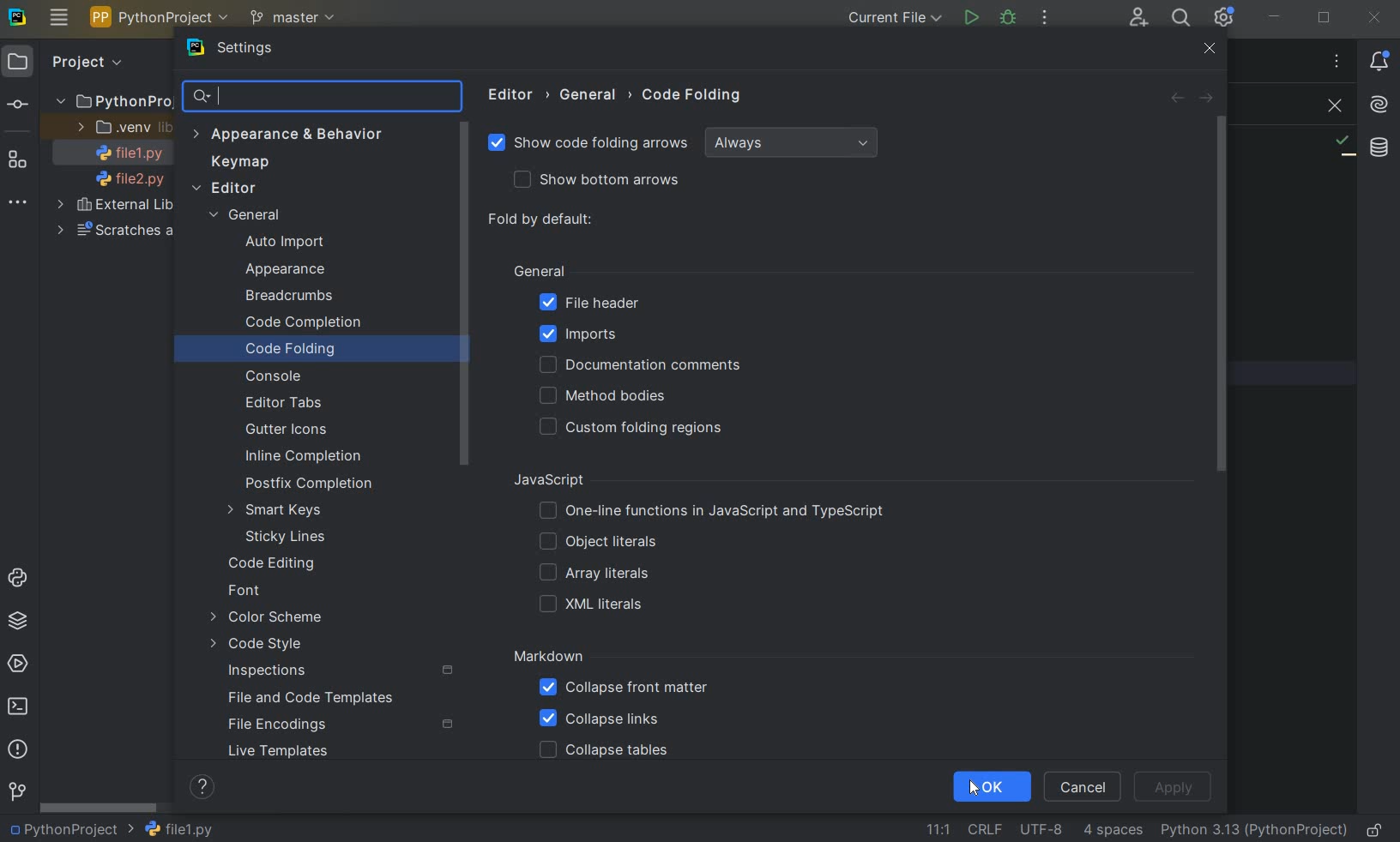  What do you see at coordinates (124, 154) in the screenshot?
I see `FILE NAME 1` at bounding box center [124, 154].